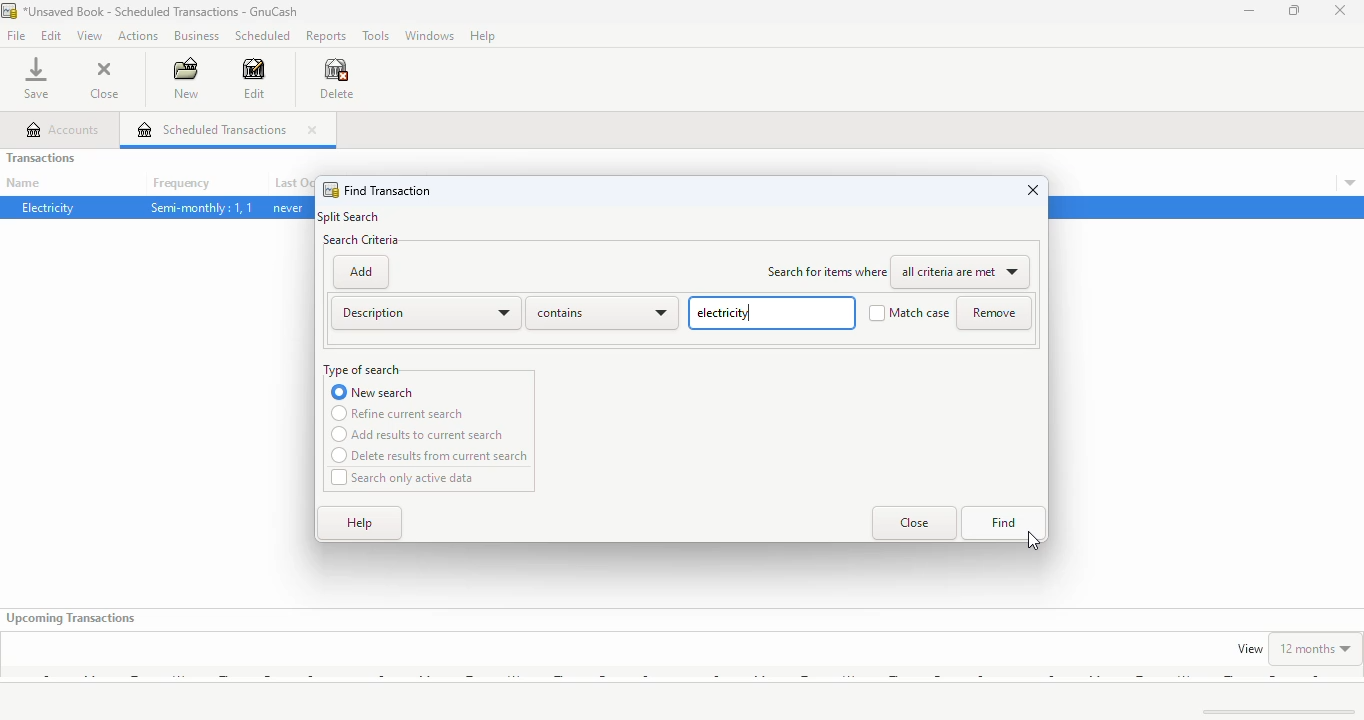 Image resolution: width=1364 pixels, height=720 pixels. What do you see at coordinates (1033, 541) in the screenshot?
I see `cursor` at bounding box center [1033, 541].